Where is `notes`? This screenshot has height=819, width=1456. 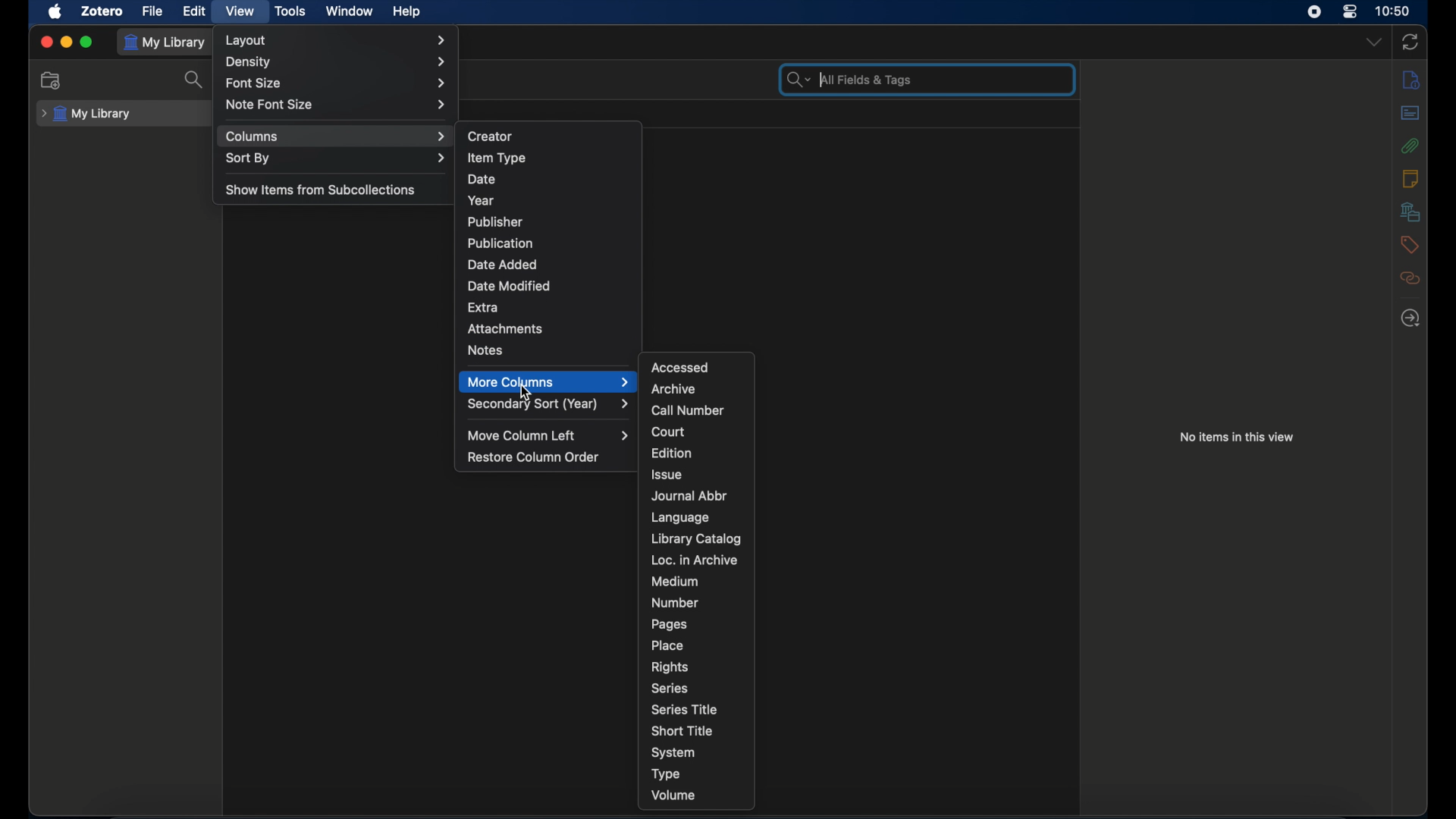 notes is located at coordinates (1411, 178).